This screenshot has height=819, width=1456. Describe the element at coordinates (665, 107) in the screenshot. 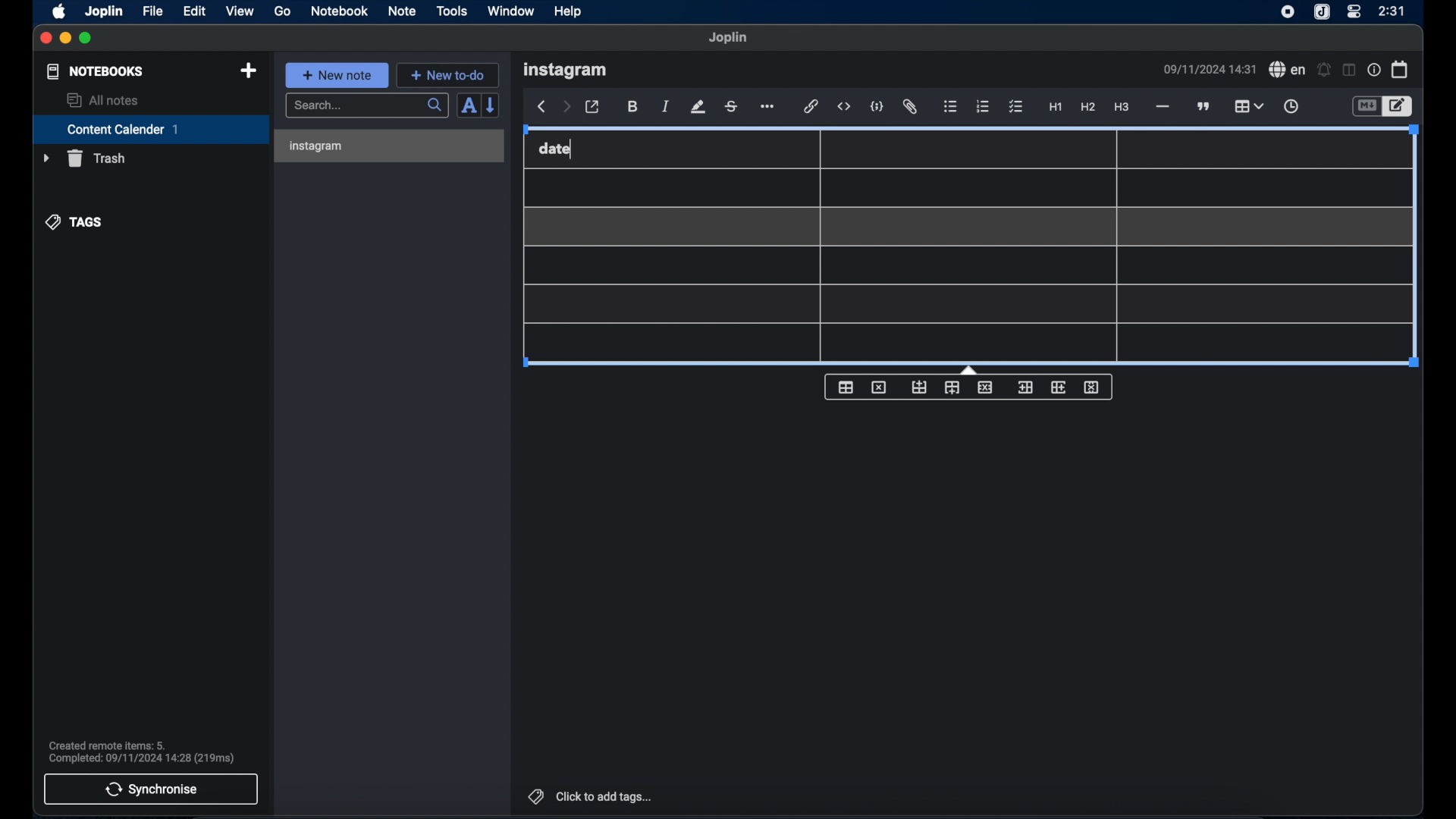

I see `italic` at that location.